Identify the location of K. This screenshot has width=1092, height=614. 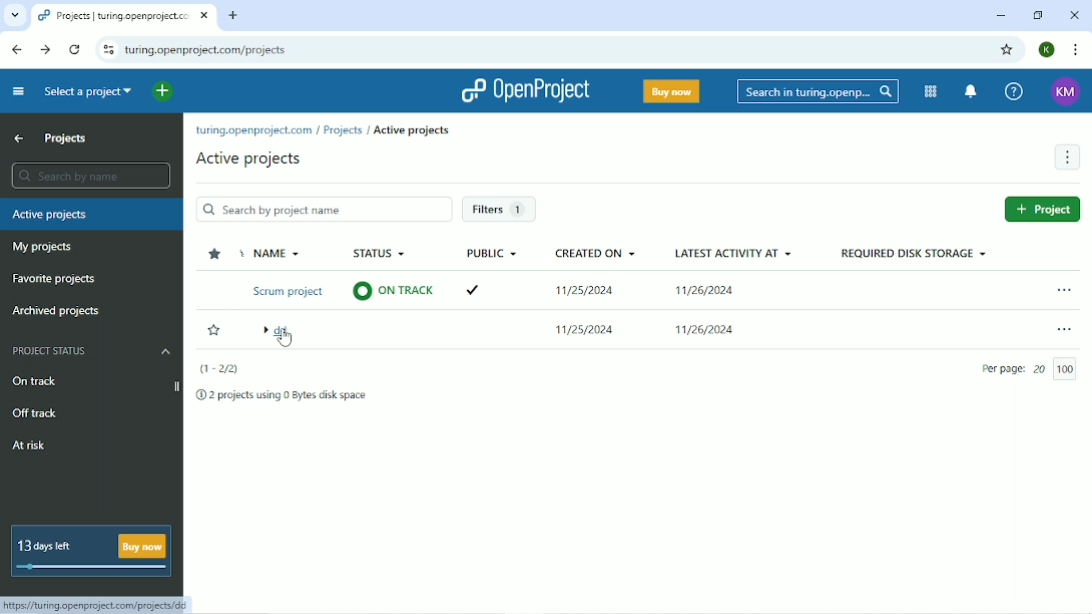
(1046, 49).